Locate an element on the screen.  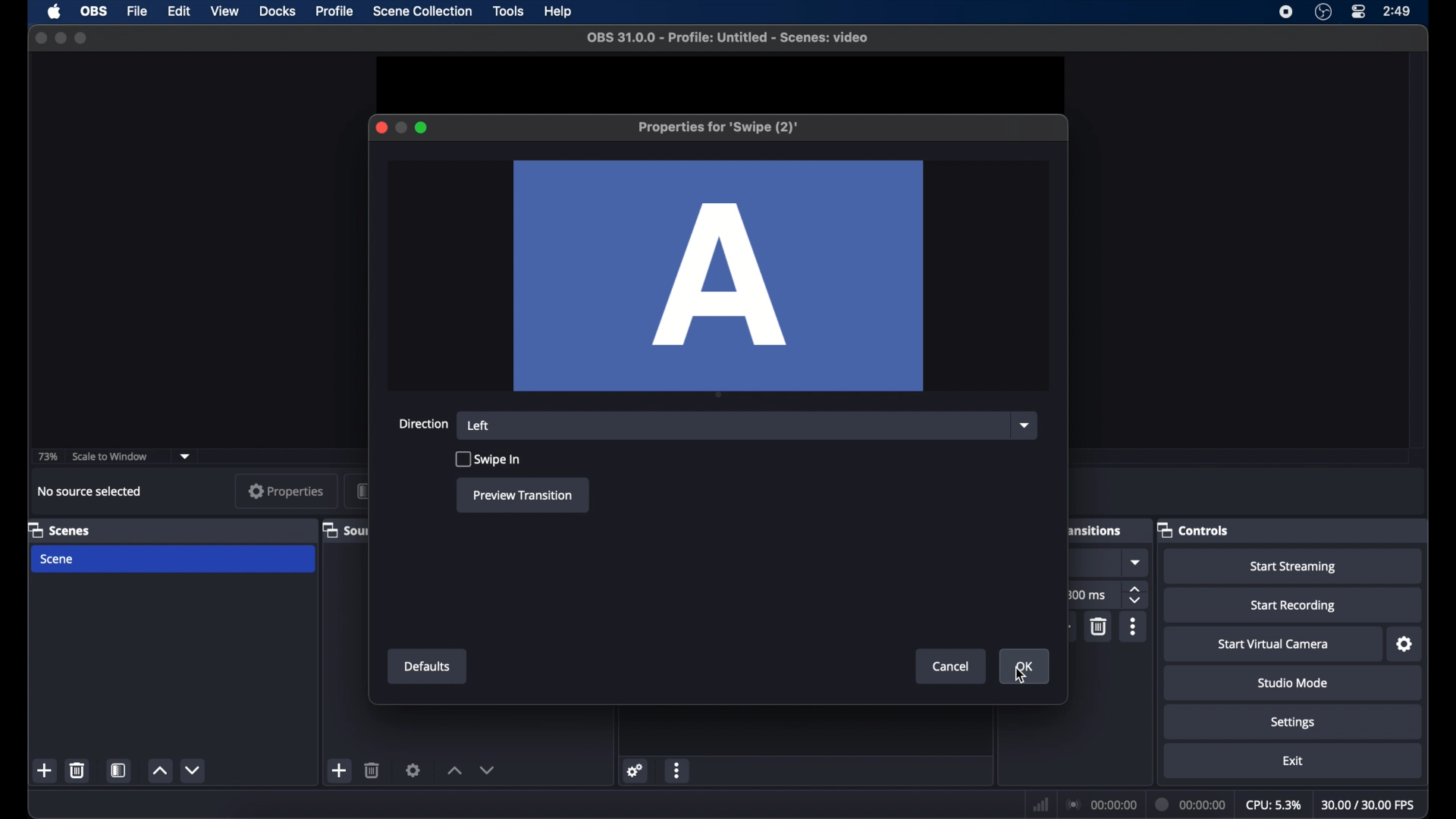
decrement  is located at coordinates (194, 770).